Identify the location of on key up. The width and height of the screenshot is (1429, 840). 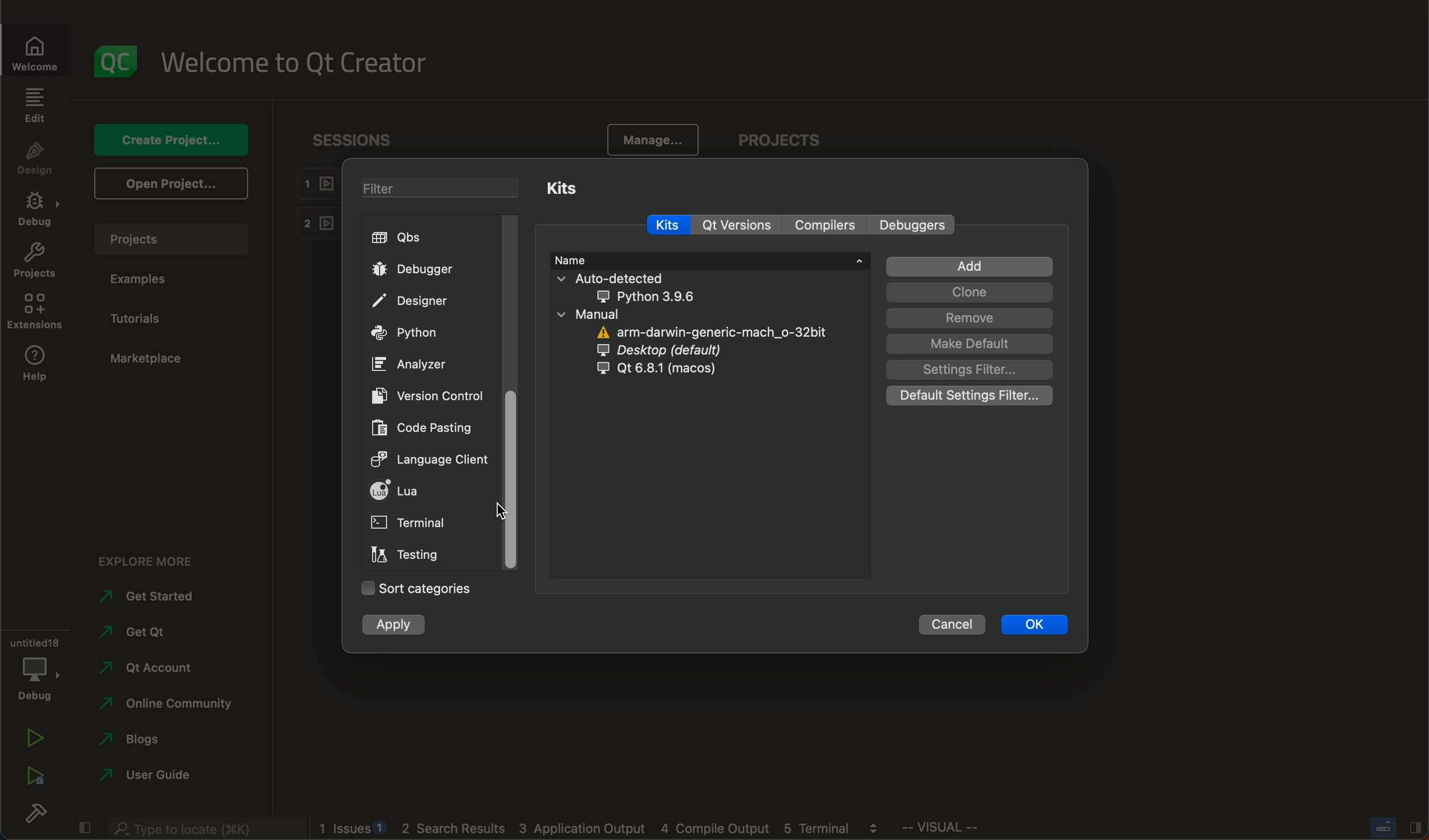
(507, 512).